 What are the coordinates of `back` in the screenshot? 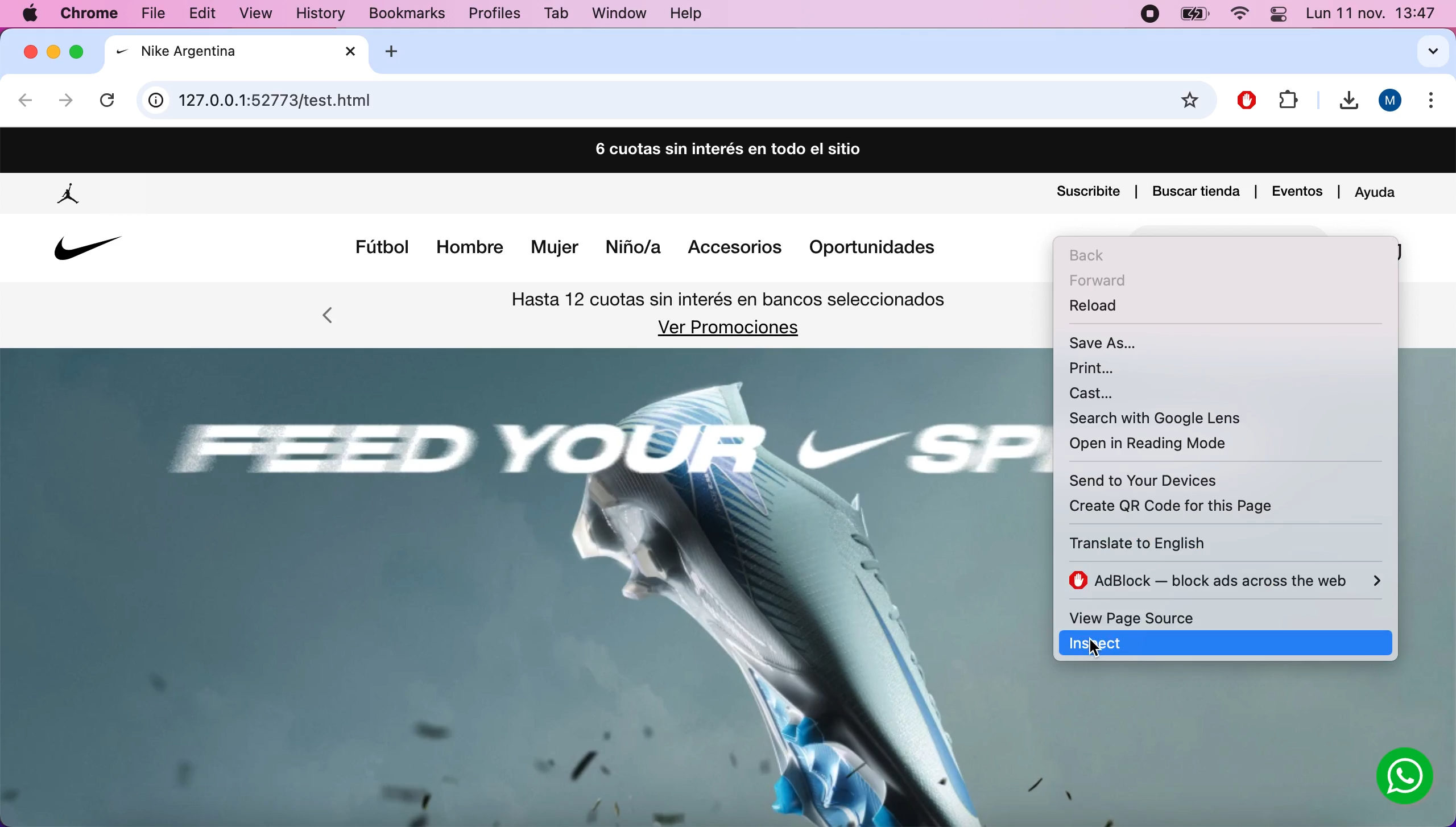 It's located at (1098, 255).